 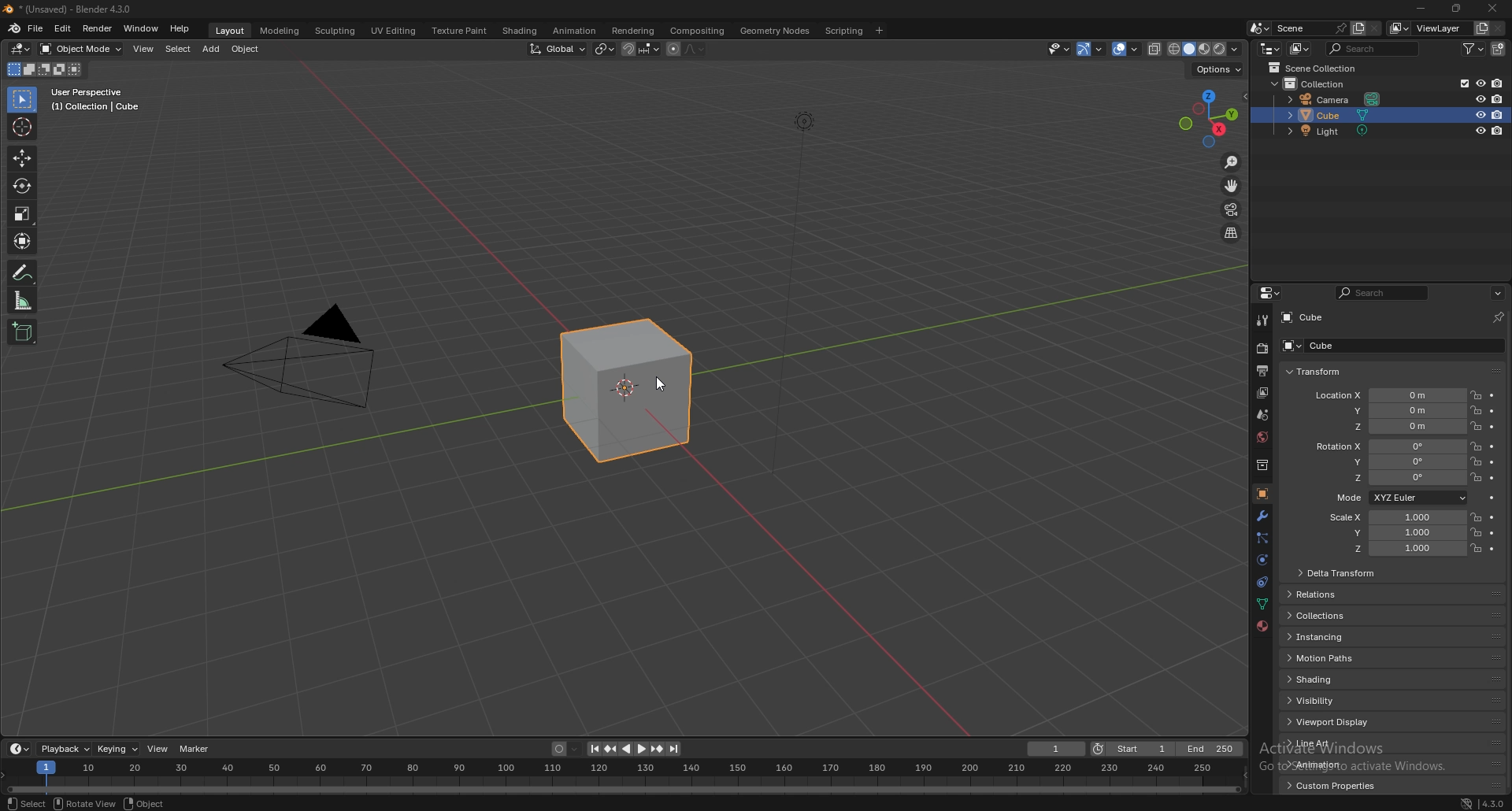 What do you see at coordinates (211, 49) in the screenshot?
I see `add` at bounding box center [211, 49].